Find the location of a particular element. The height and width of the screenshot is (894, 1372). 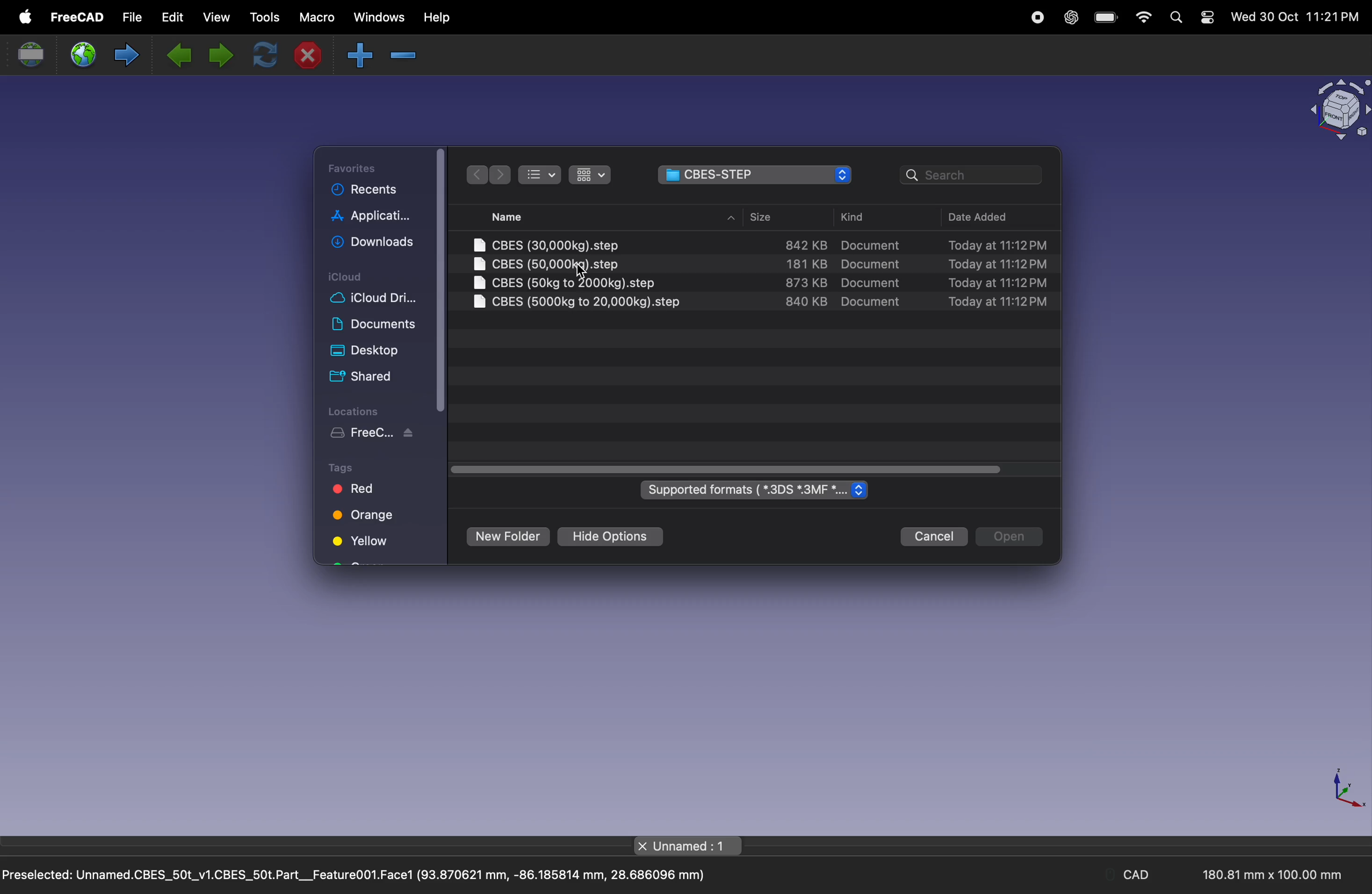

cancel is located at coordinates (932, 535).